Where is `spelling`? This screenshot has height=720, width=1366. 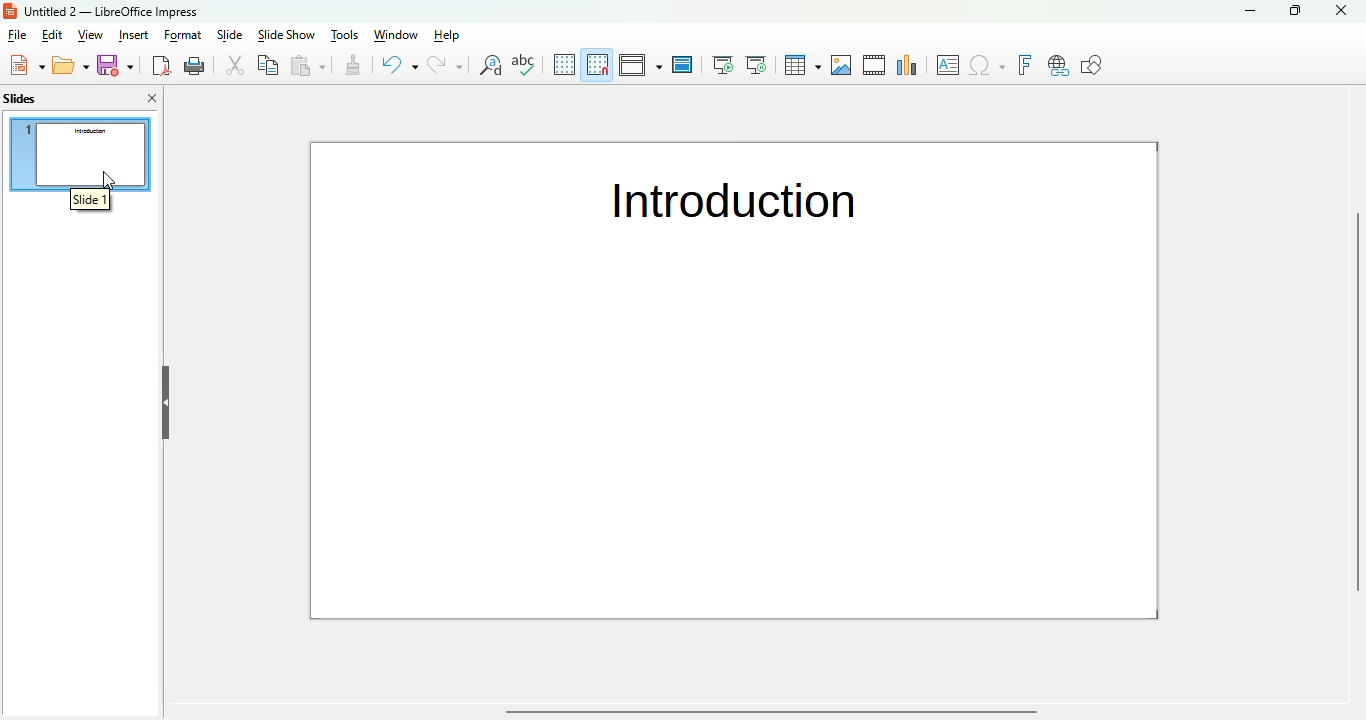
spelling is located at coordinates (524, 64).